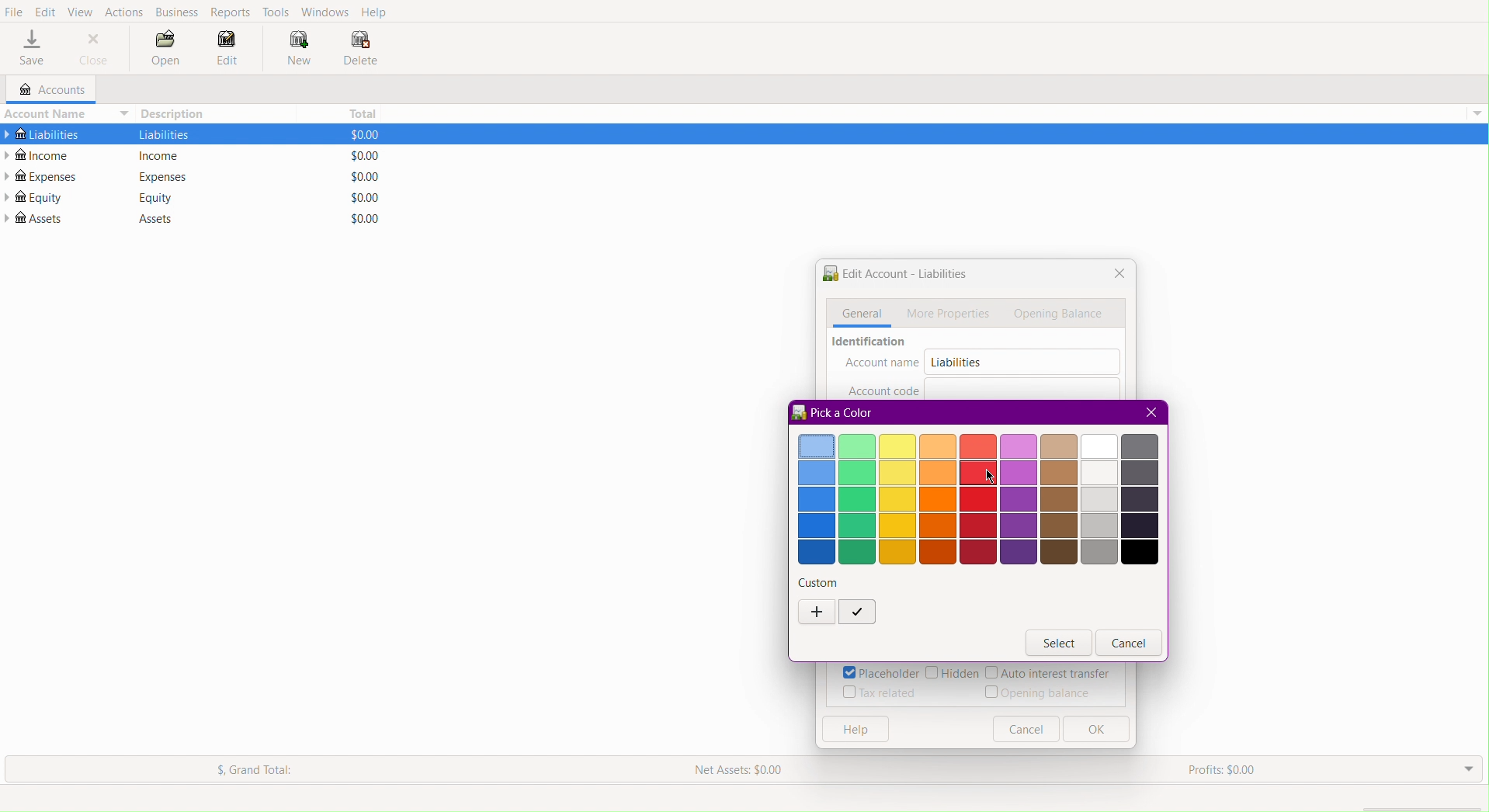  What do you see at coordinates (835, 412) in the screenshot?
I see `Pick a Color` at bounding box center [835, 412].